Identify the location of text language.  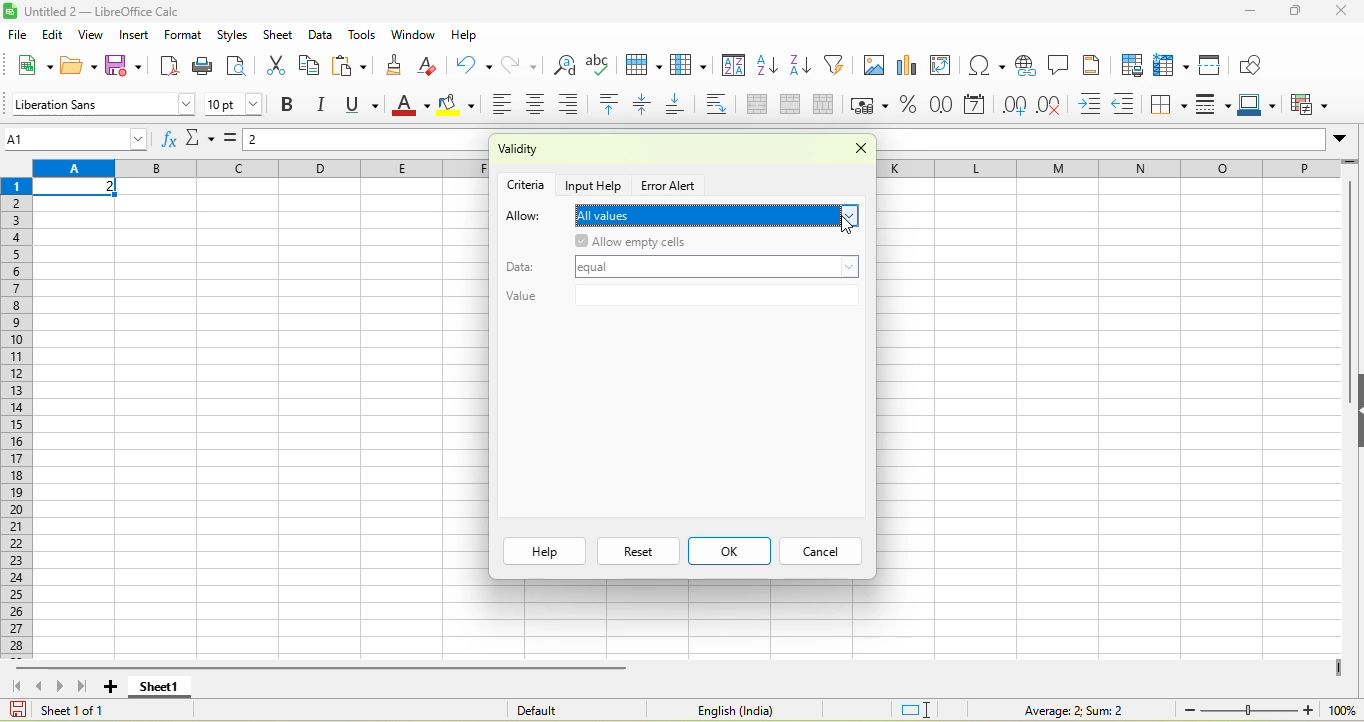
(731, 710).